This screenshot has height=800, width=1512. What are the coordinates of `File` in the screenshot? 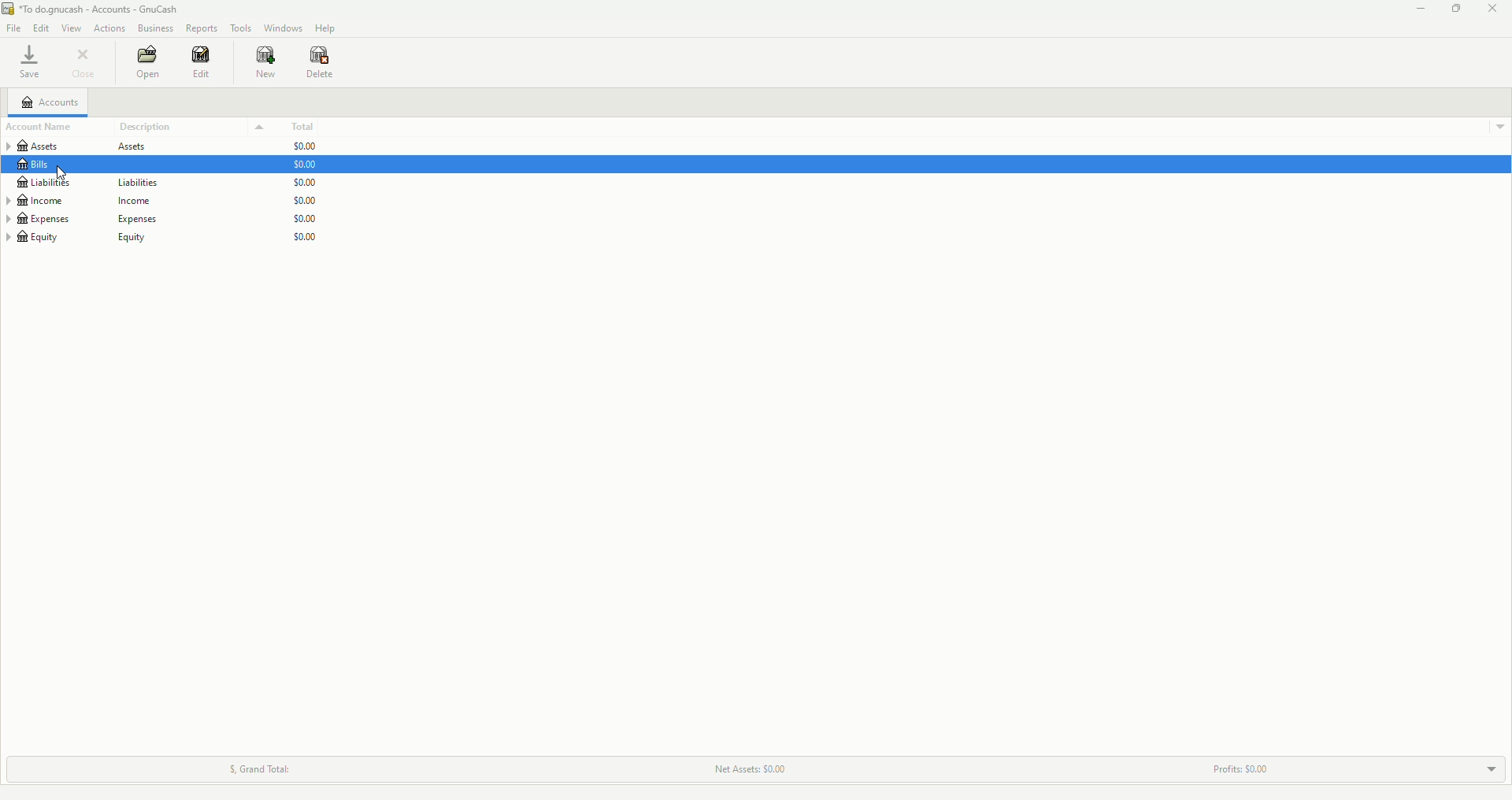 It's located at (16, 29).